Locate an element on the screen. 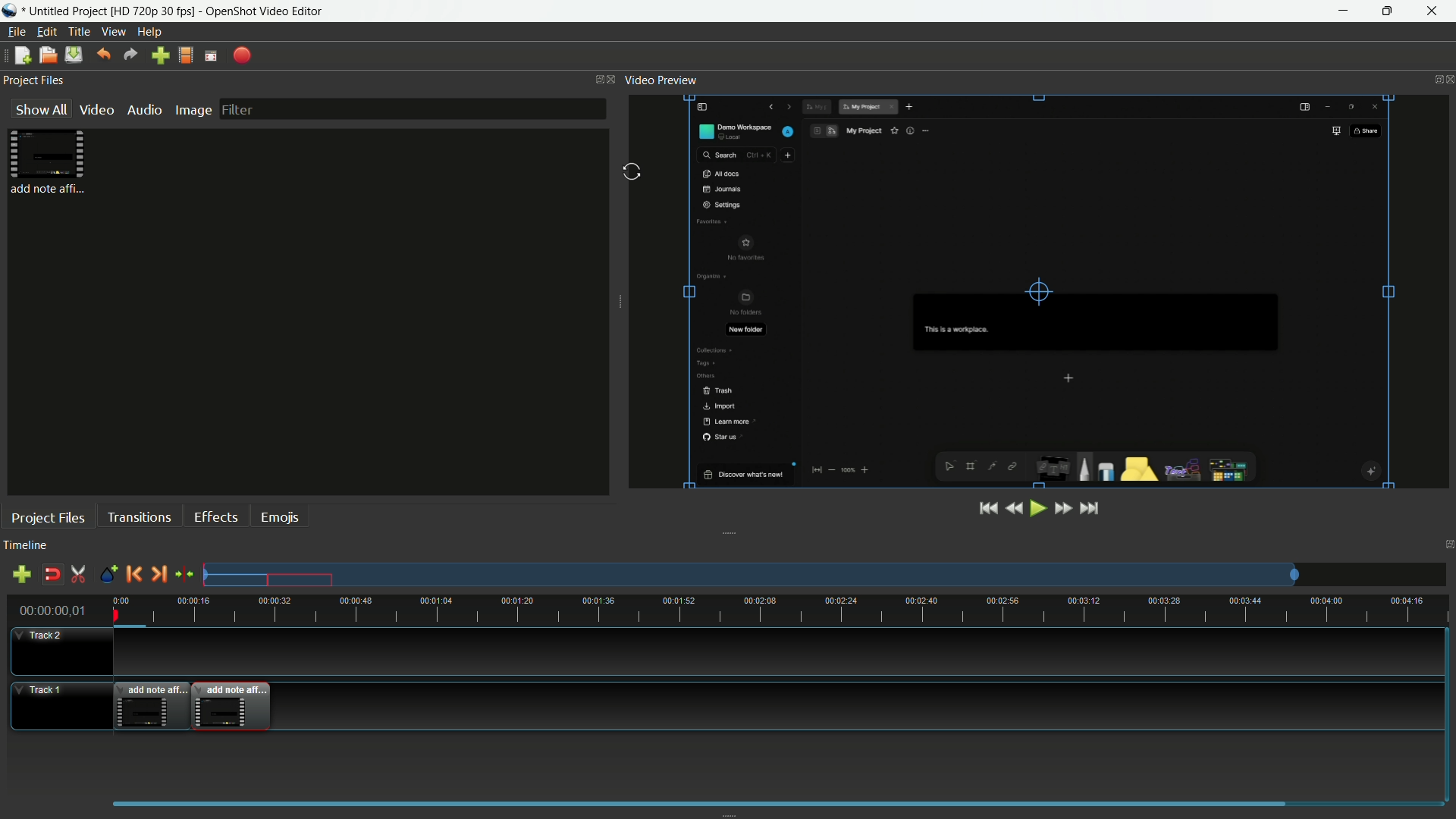  export is located at coordinates (240, 55).